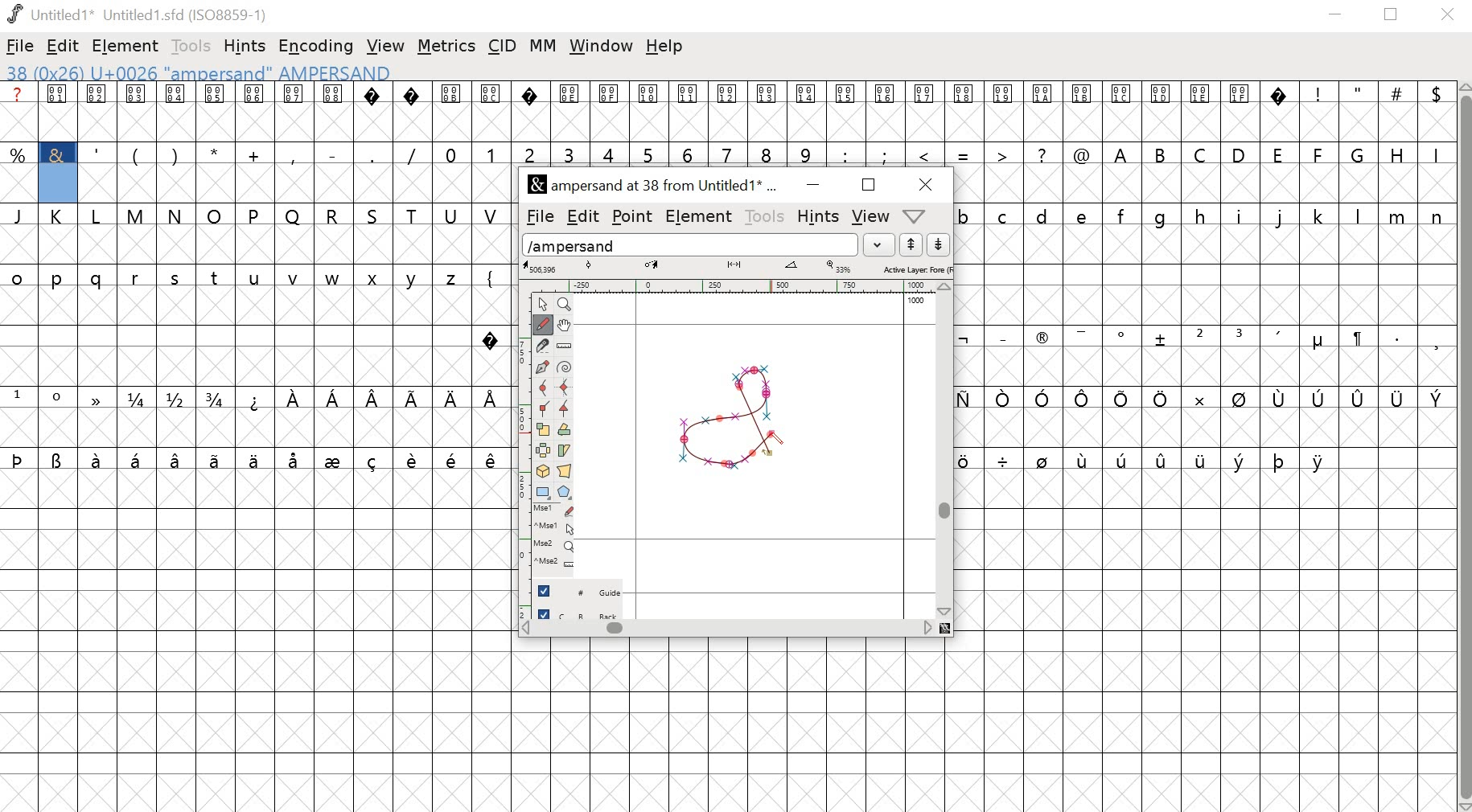 The width and height of the screenshot is (1472, 812). I want to click on window, so click(600, 47).